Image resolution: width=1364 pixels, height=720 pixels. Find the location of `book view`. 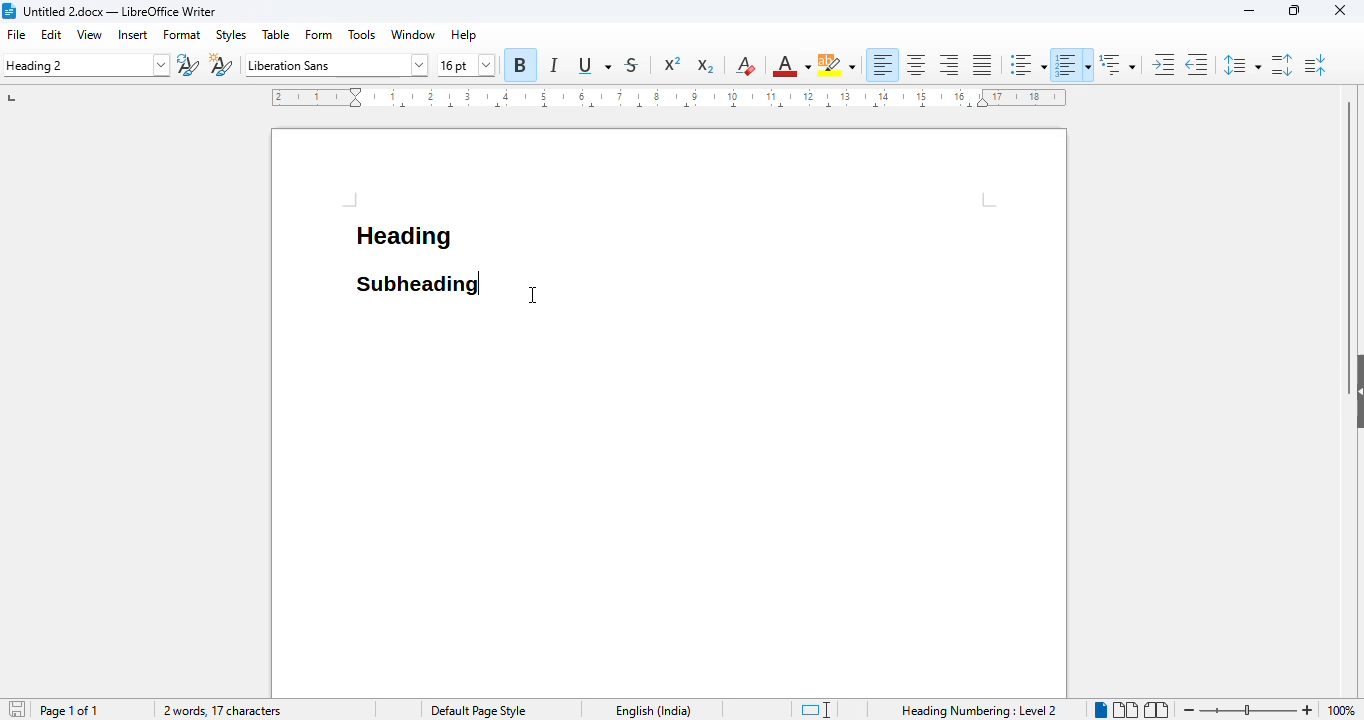

book view is located at coordinates (1155, 709).